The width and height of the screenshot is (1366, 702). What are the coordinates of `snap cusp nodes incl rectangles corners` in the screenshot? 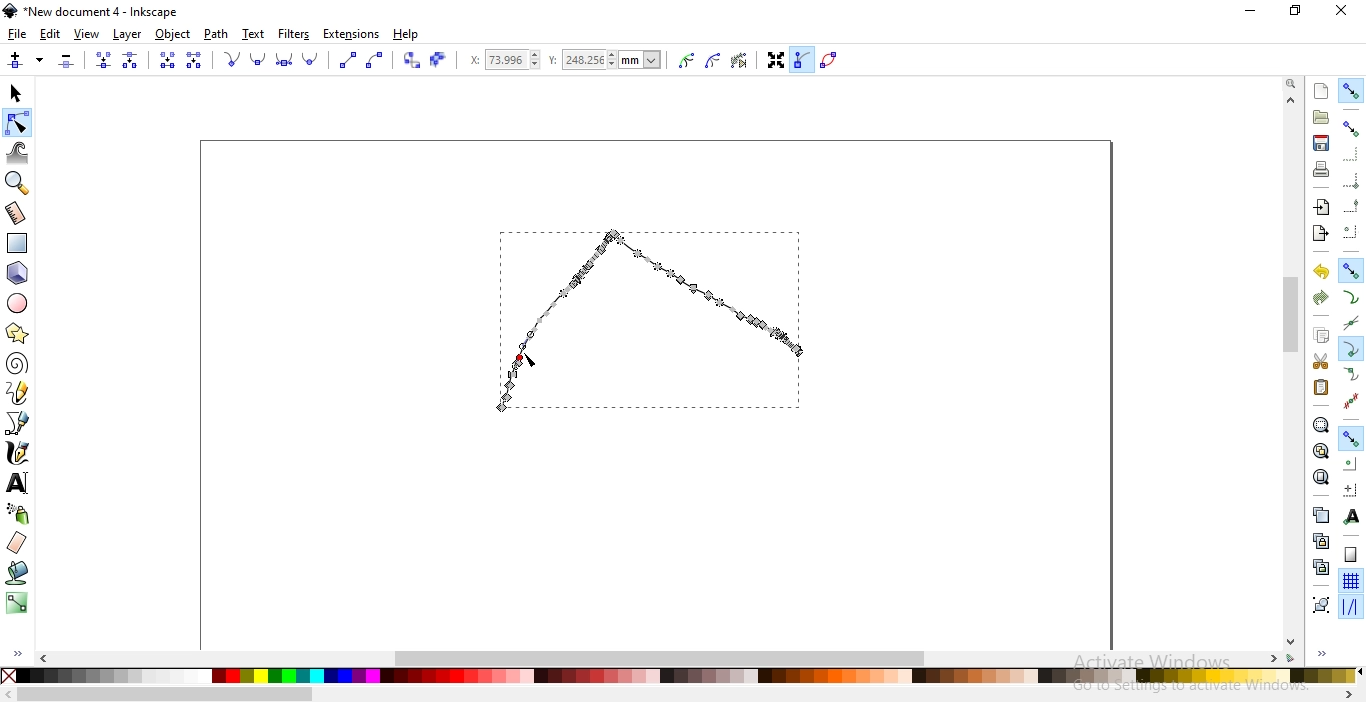 It's located at (1350, 349).